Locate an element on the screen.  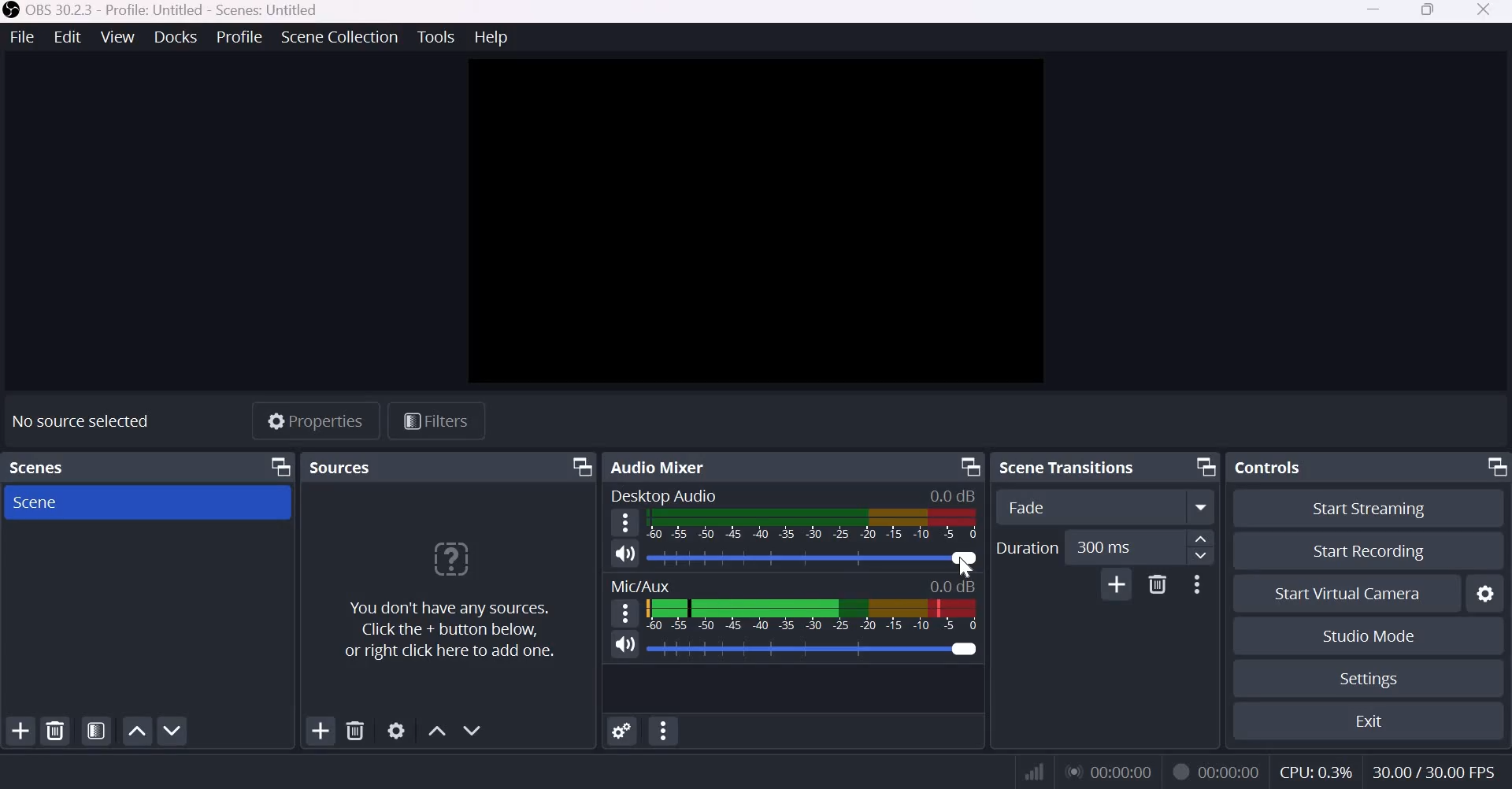
Transition Type Dropdown is located at coordinates (1089, 506).